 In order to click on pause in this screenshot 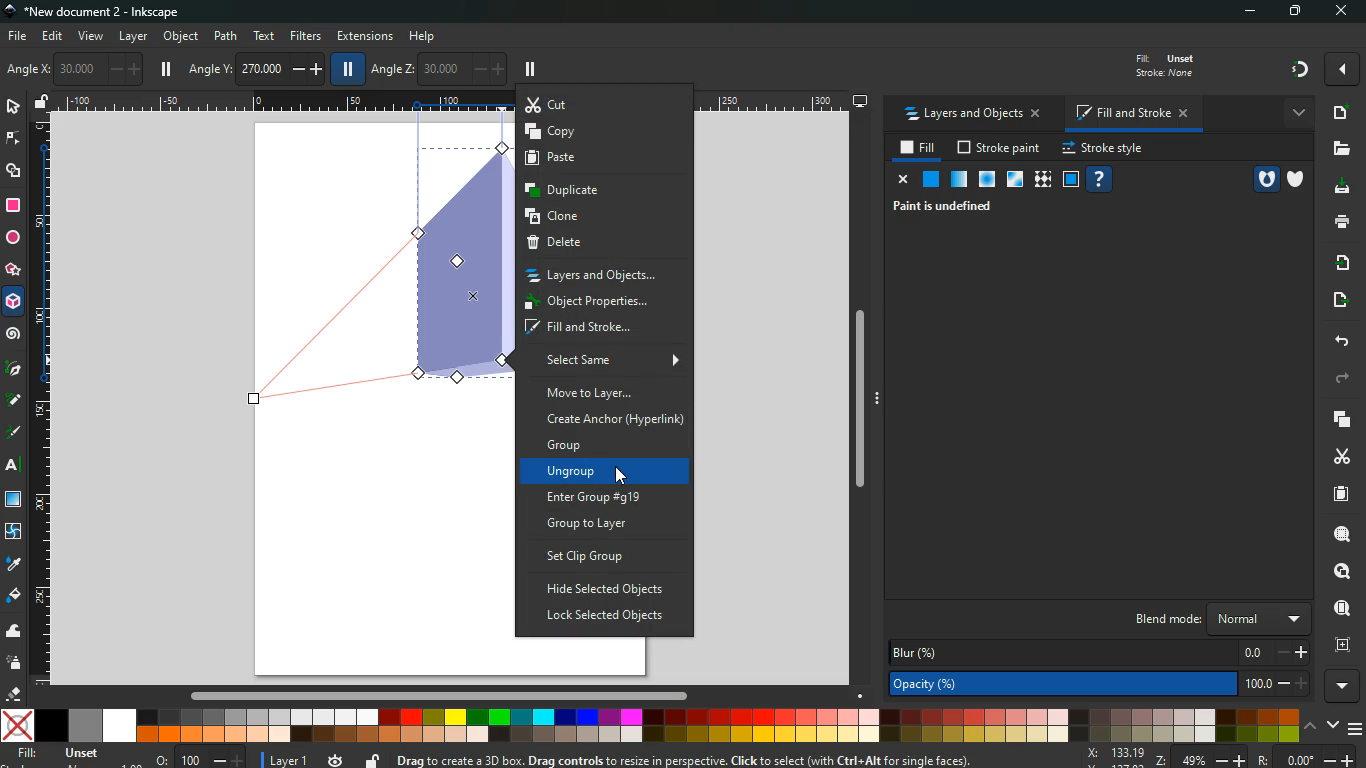, I will do `click(166, 69)`.